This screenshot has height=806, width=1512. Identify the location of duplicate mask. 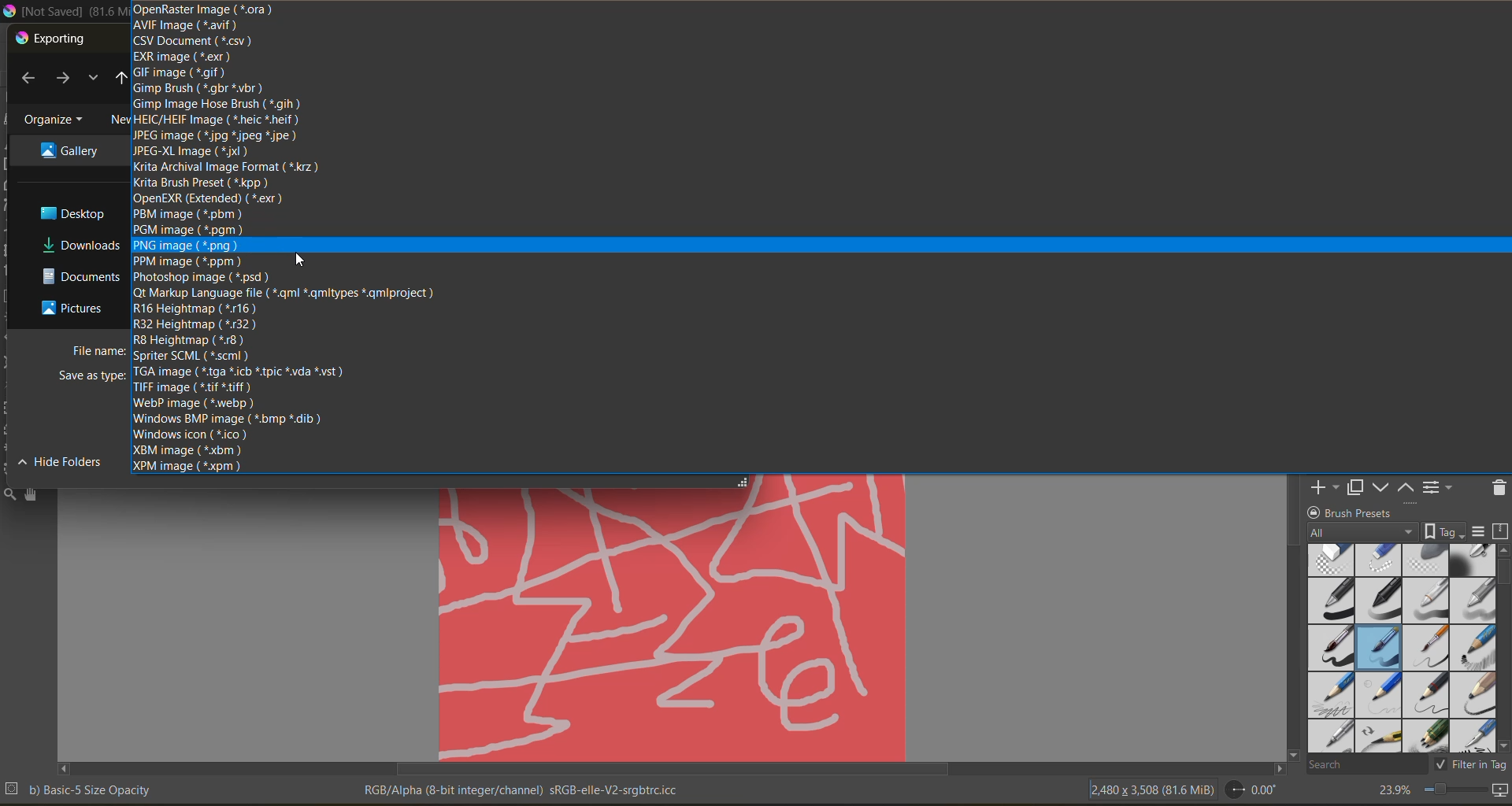
(1355, 488).